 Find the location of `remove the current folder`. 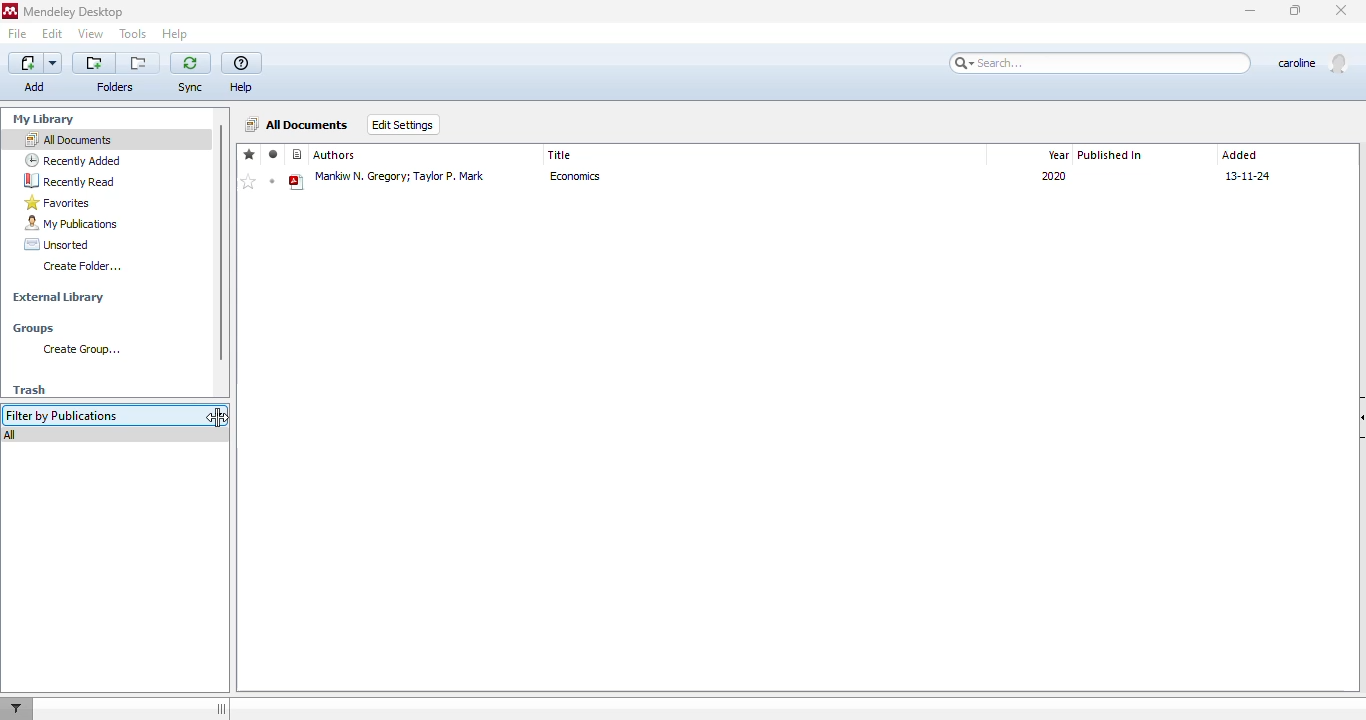

remove the current folder is located at coordinates (138, 63).